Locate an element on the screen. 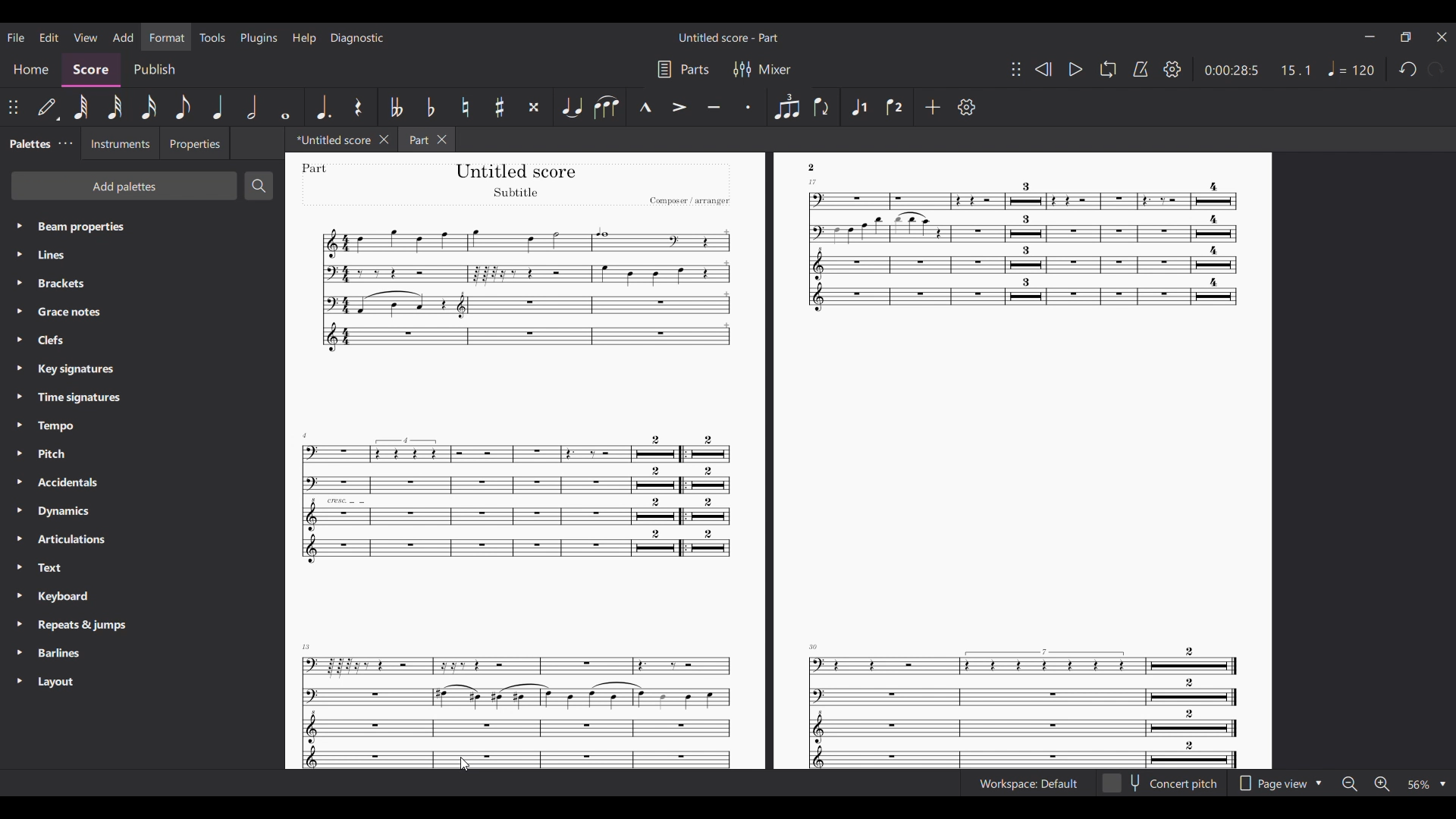 The width and height of the screenshot is (1456, 819). Toggle double flat is located at coordinates (396, 106).